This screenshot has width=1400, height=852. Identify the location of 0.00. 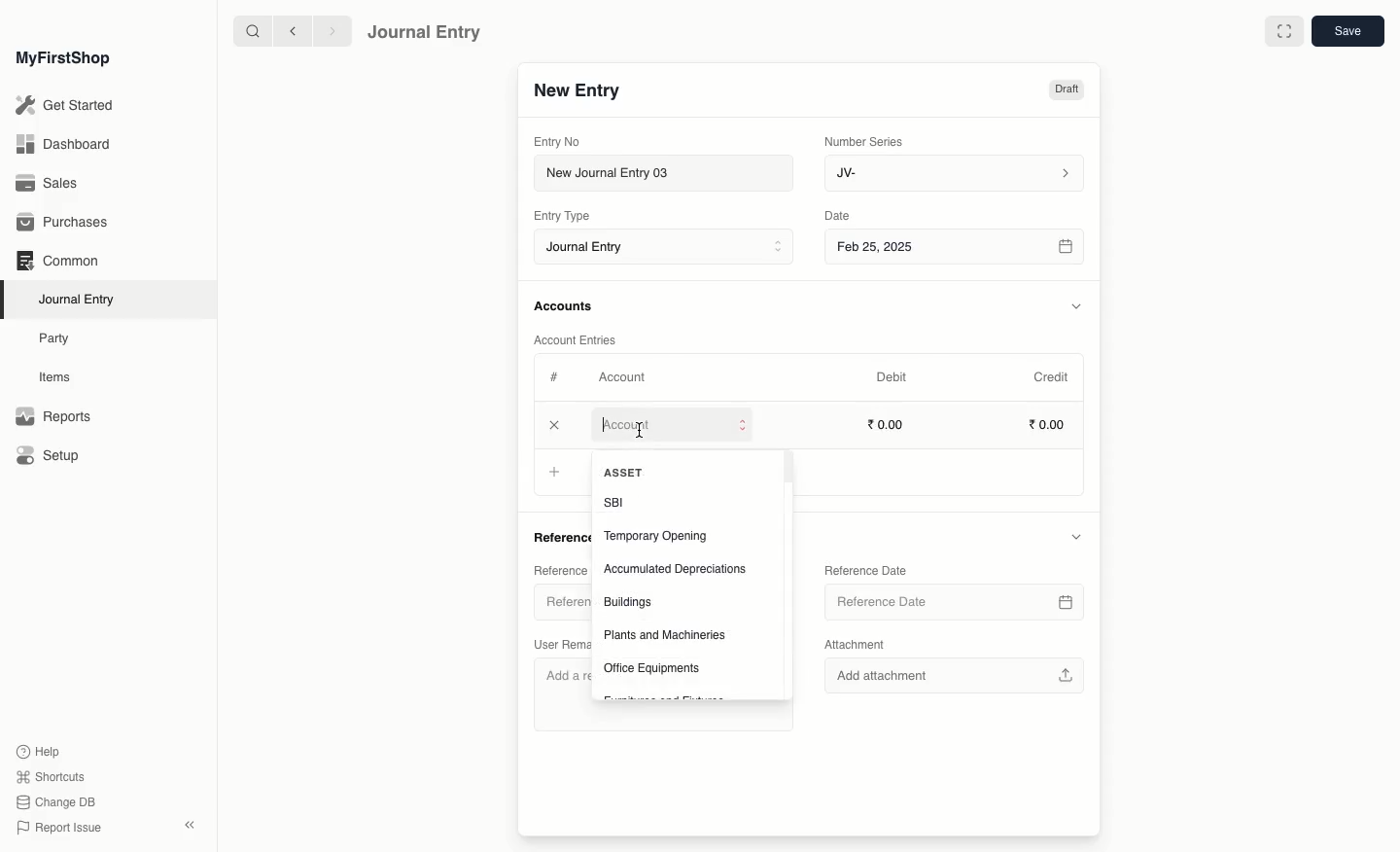
(888, 424).